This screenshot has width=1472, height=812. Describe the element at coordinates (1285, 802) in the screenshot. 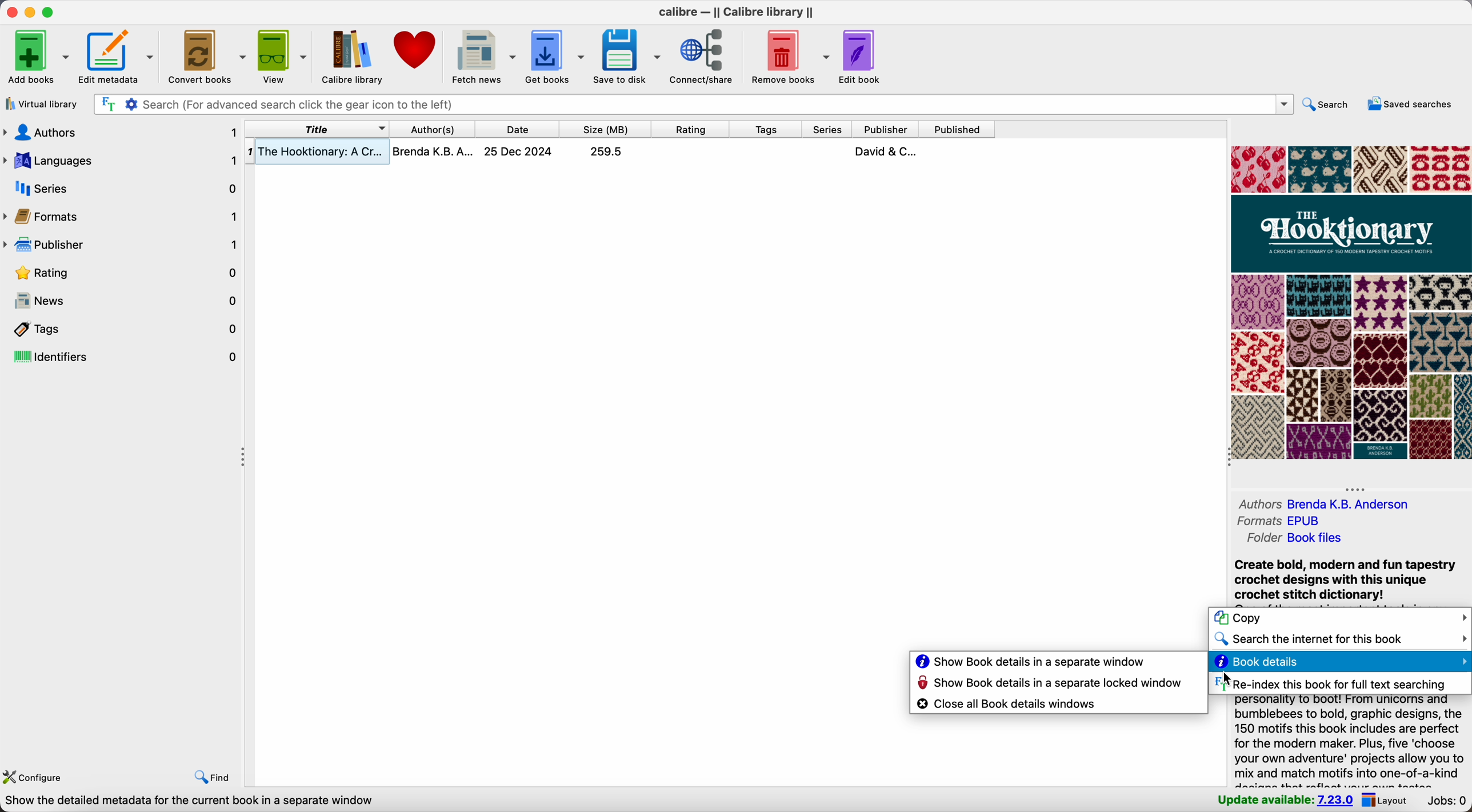

I see `update available` at that location.